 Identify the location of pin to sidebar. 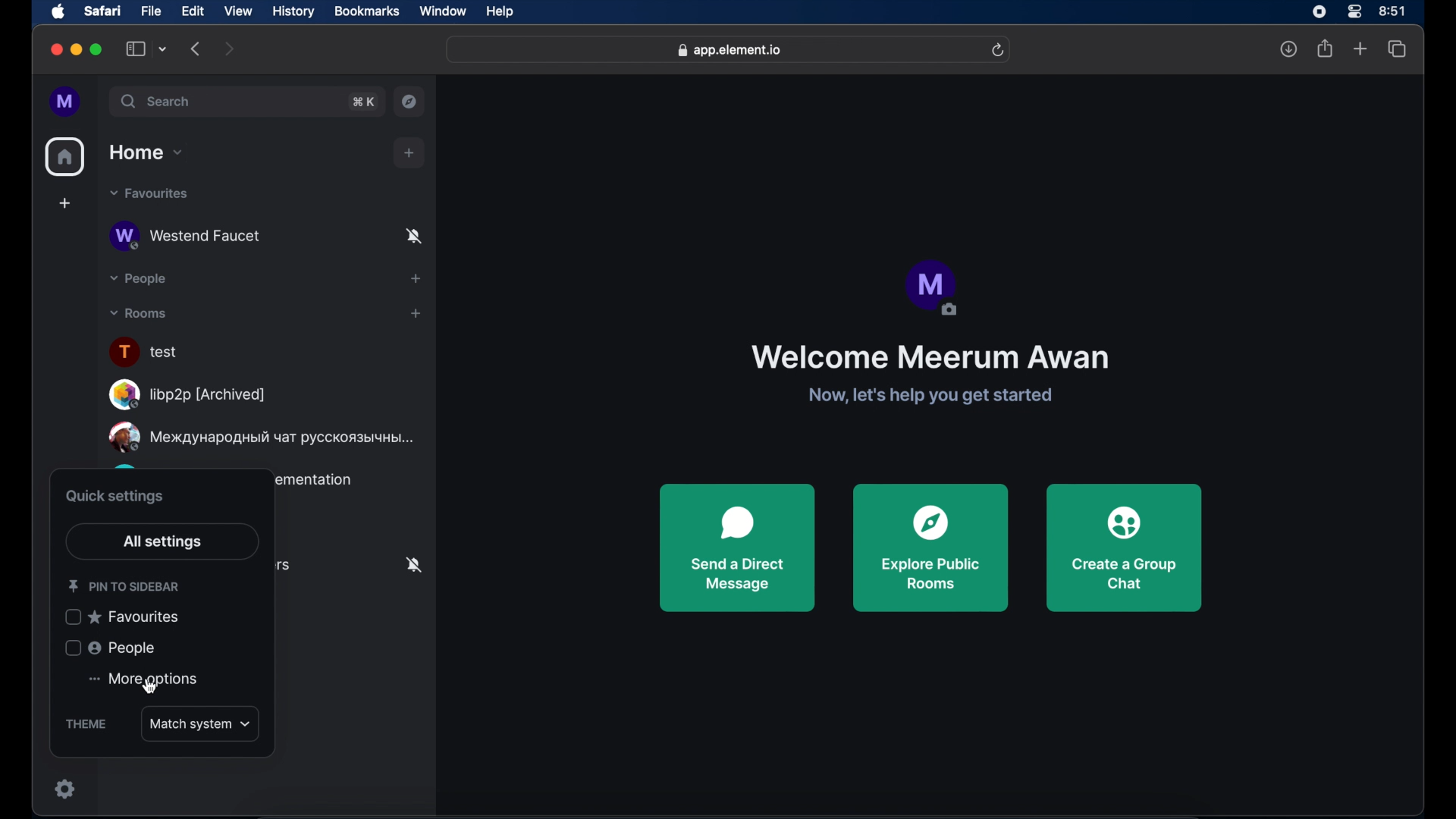
(123, 586).